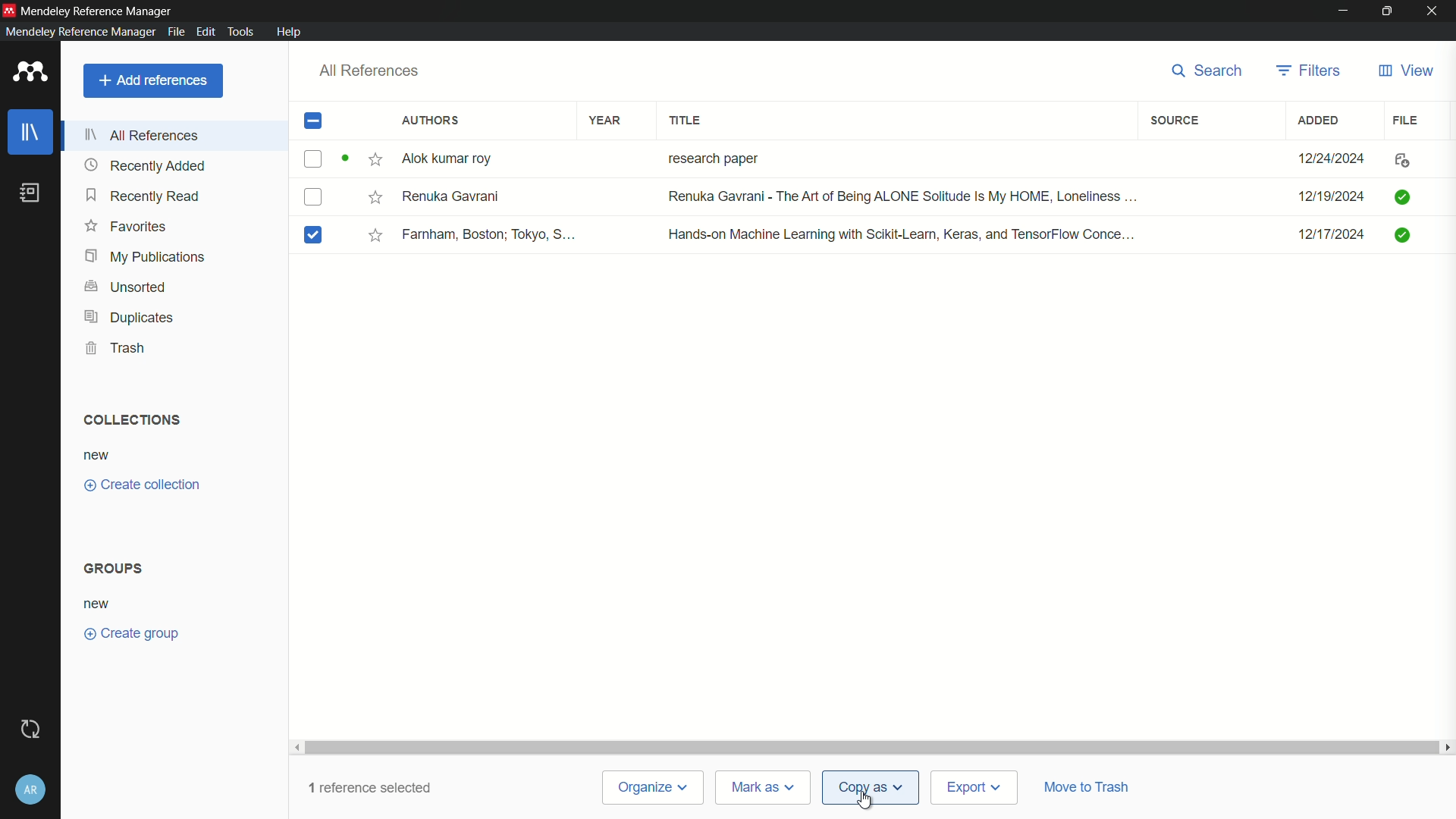  Describe the element at coordinates (900, 196) in the screenshot. I see `Renuka Gavrani - The Art of Being ALONE Solitude is my HOME, Loneliness...` at that location.